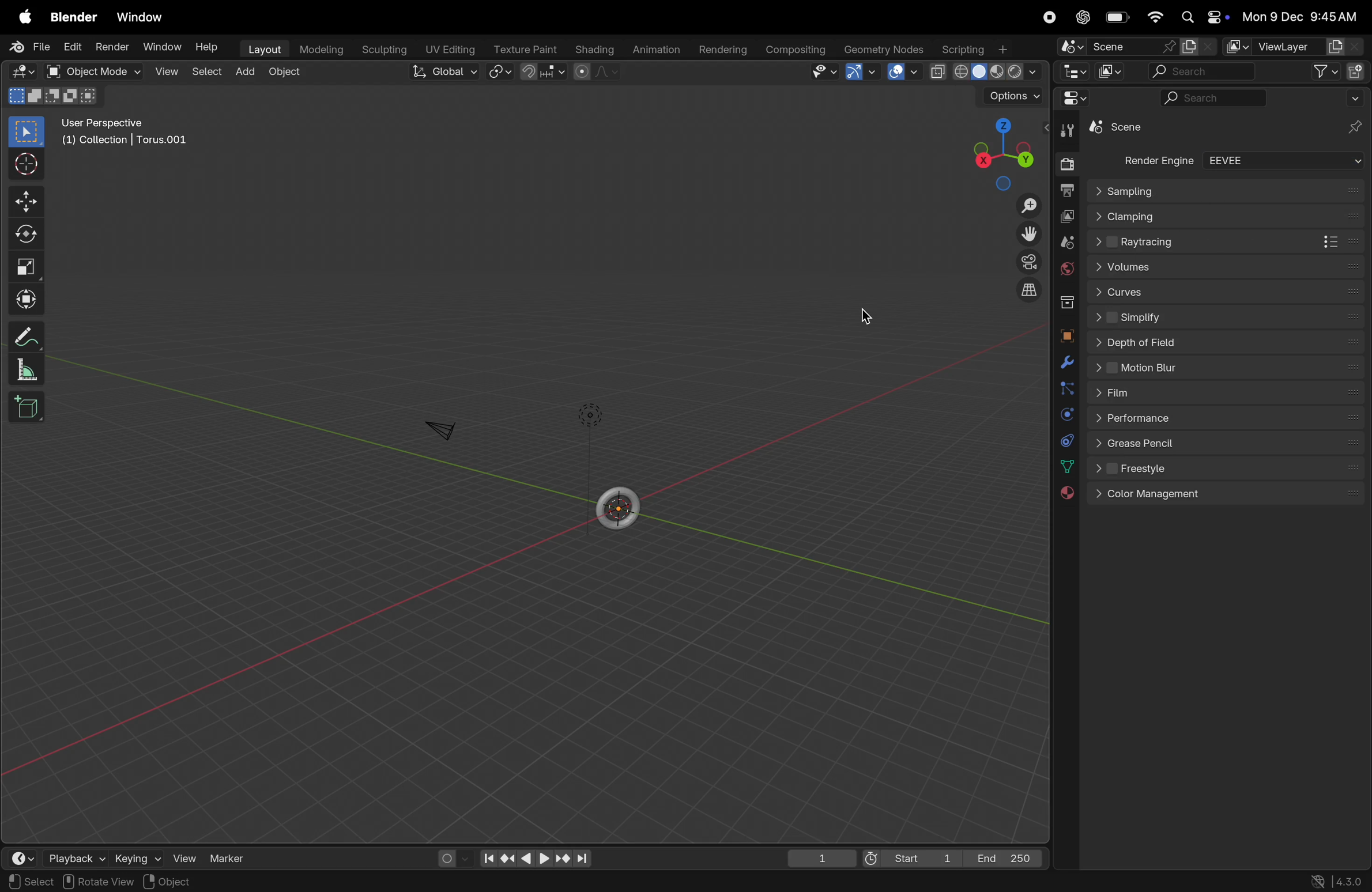 The image size is (1372, 892). Describe the element at coordinates (1324, 71) in the screenshot. I see `filter` at that location.